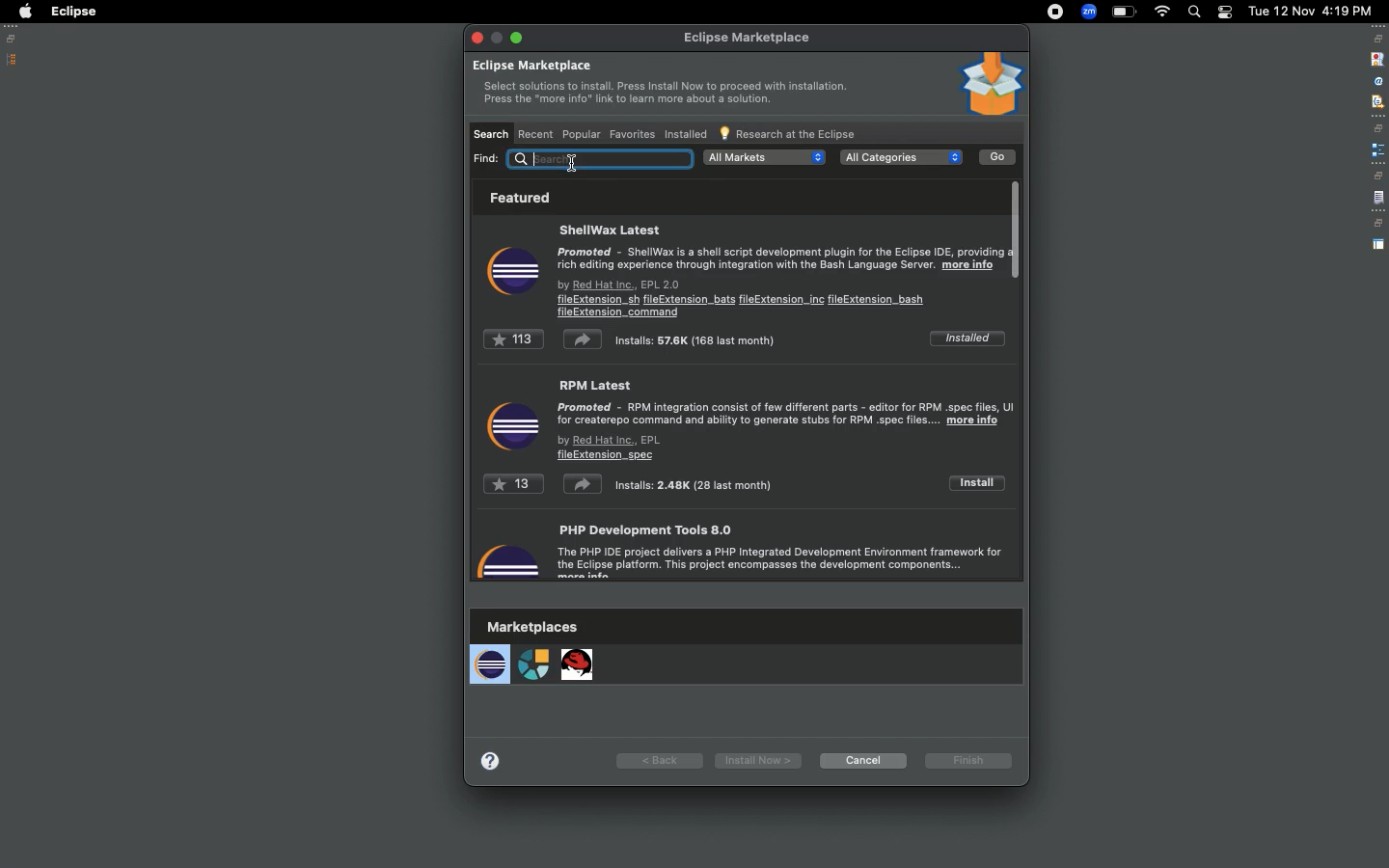 The height and width of the screenshot is (868, 1389). I want to click on restore, so click(1377, 224).